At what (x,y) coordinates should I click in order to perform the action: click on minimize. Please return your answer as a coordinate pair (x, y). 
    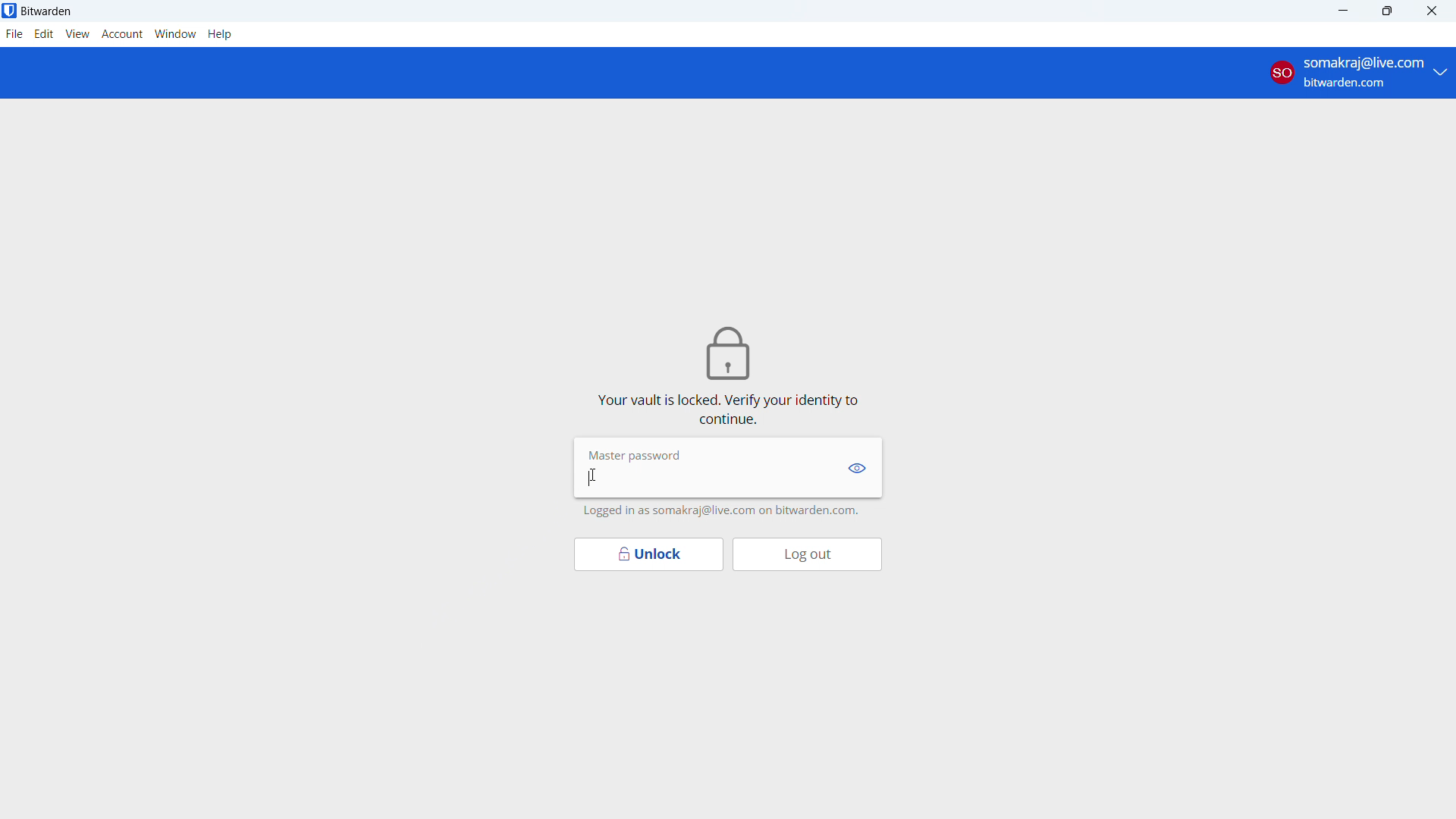
    Looking at the image, I should click on (1342, 11).